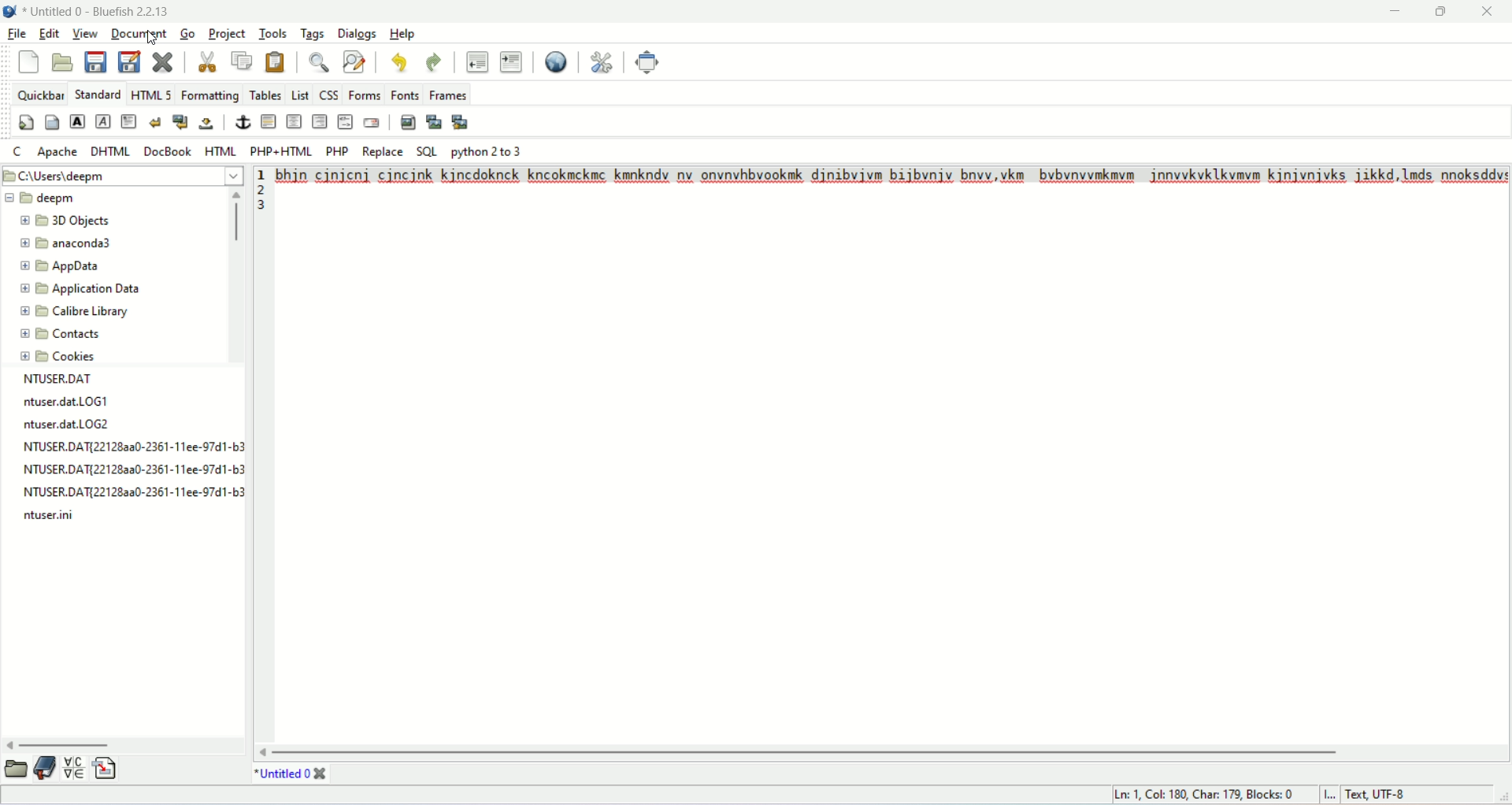 The height and width of the screenshot is (805, 1512). Describe the element at coordinates (86, 34) in the screenshot. I see `view` at that location.